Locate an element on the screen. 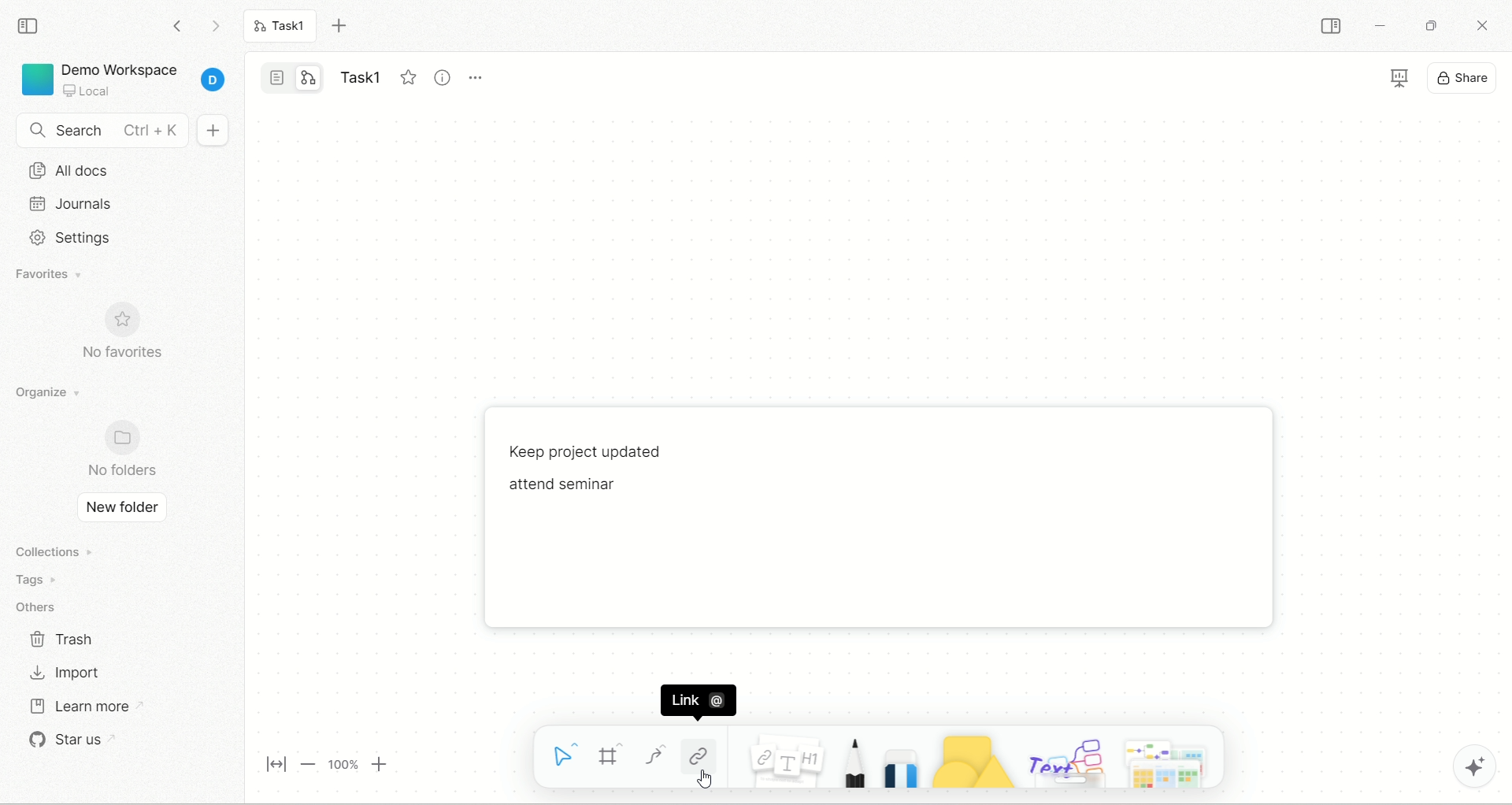 The image size is (1512, 805). collapse sidebar is located at coordinates (31, 26).